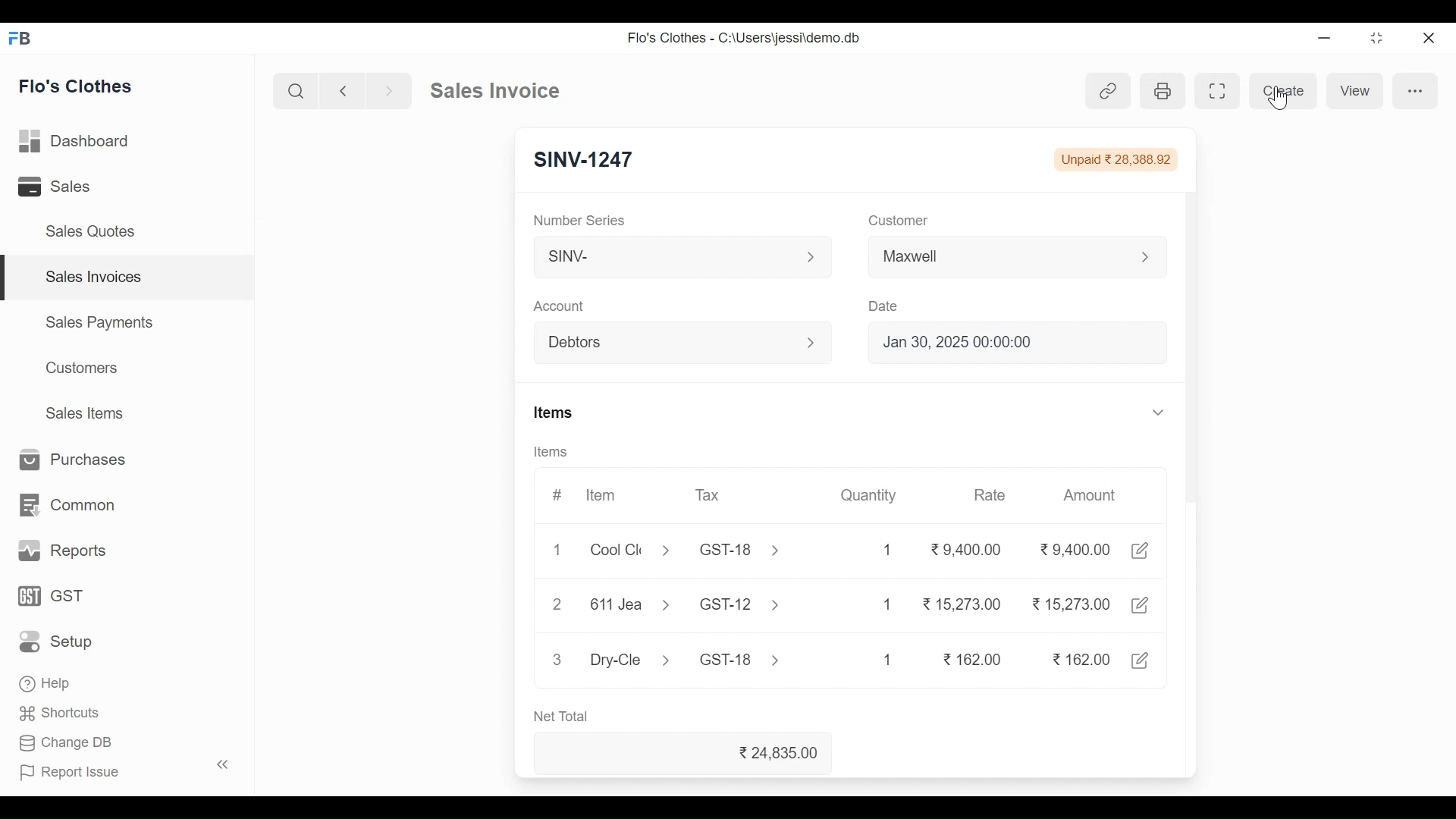 Image resolution: width=1456 pixels, height=819 pixels. Describe the element at coordinates (681, 657) in the screenshot. I see `Dry-Cle > GST-18 >` at that location.